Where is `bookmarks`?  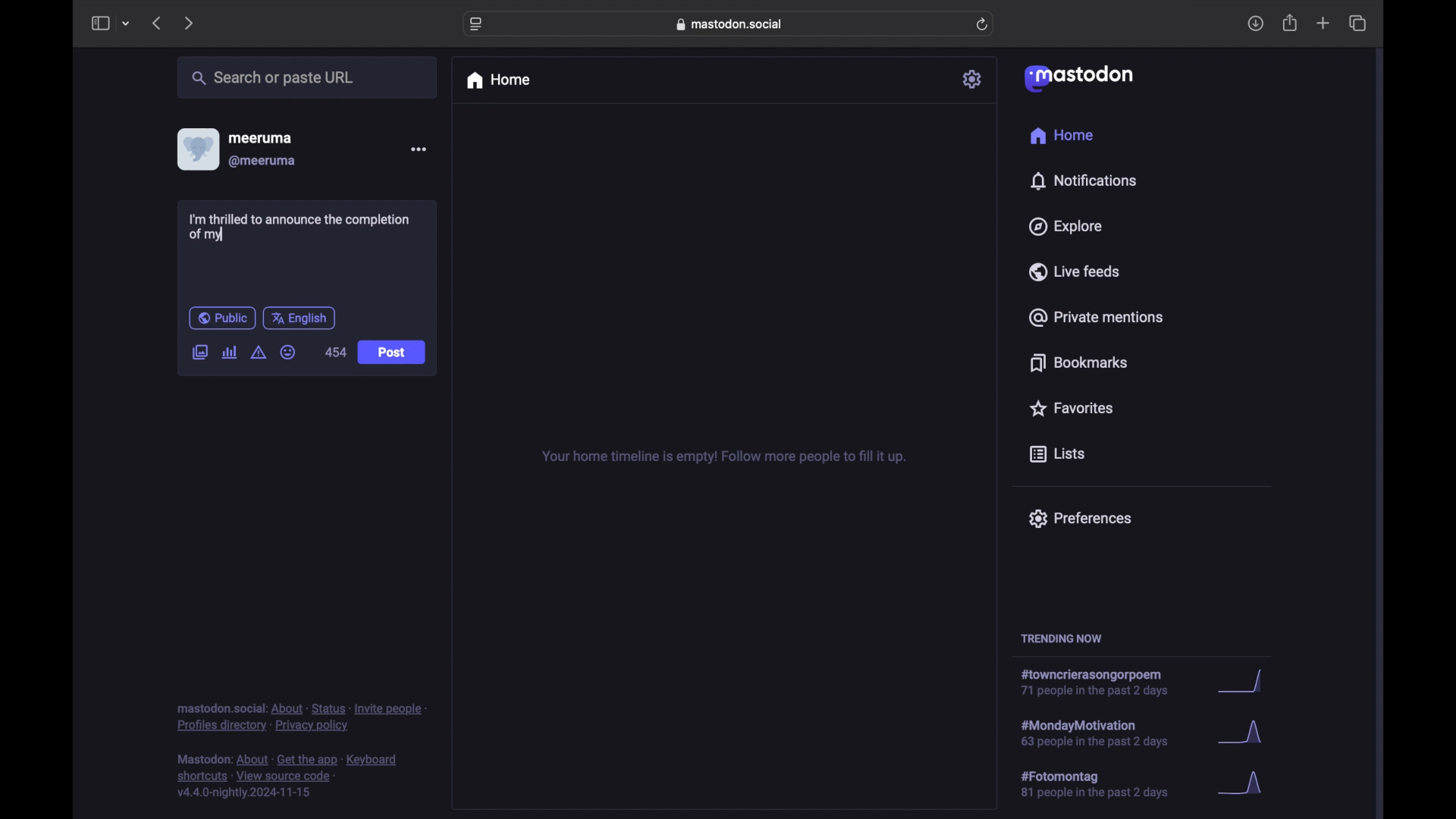
bookmarks is located at coordinates (1081, 362).